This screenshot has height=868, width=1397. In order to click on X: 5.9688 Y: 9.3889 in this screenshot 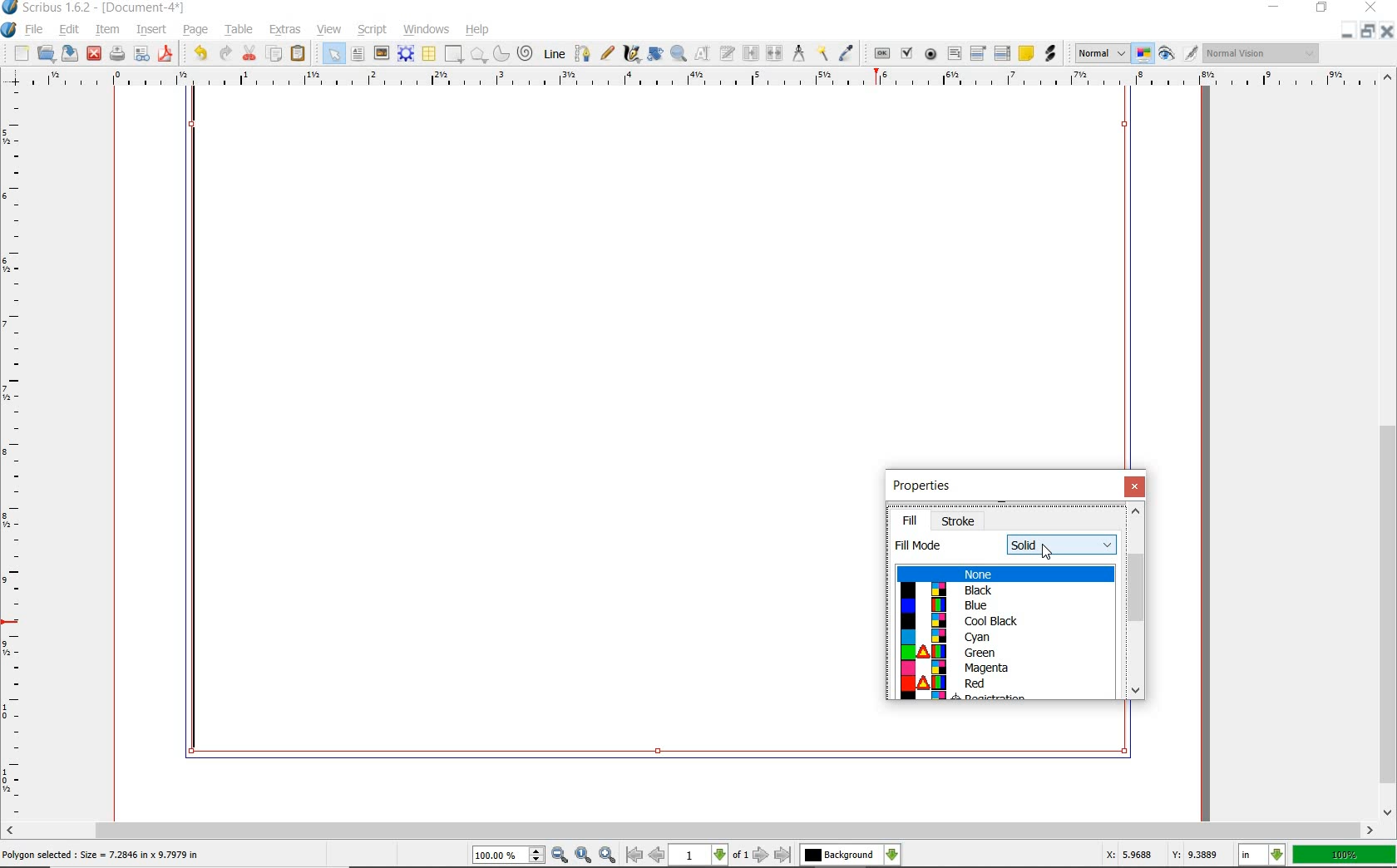, I will do `click(1159, 854)`.